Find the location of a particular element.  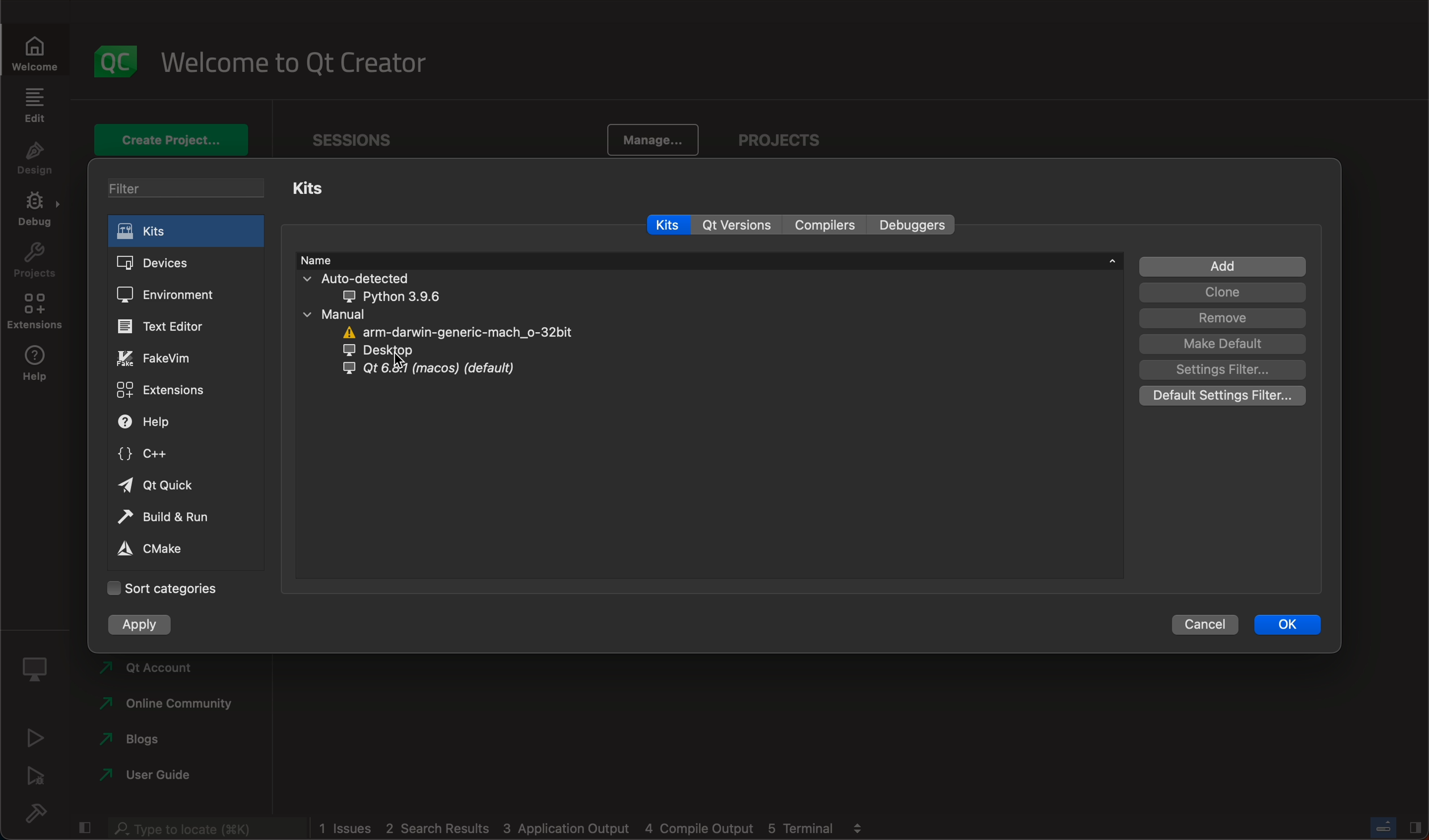

text editor is located at coordinates (169, 326).